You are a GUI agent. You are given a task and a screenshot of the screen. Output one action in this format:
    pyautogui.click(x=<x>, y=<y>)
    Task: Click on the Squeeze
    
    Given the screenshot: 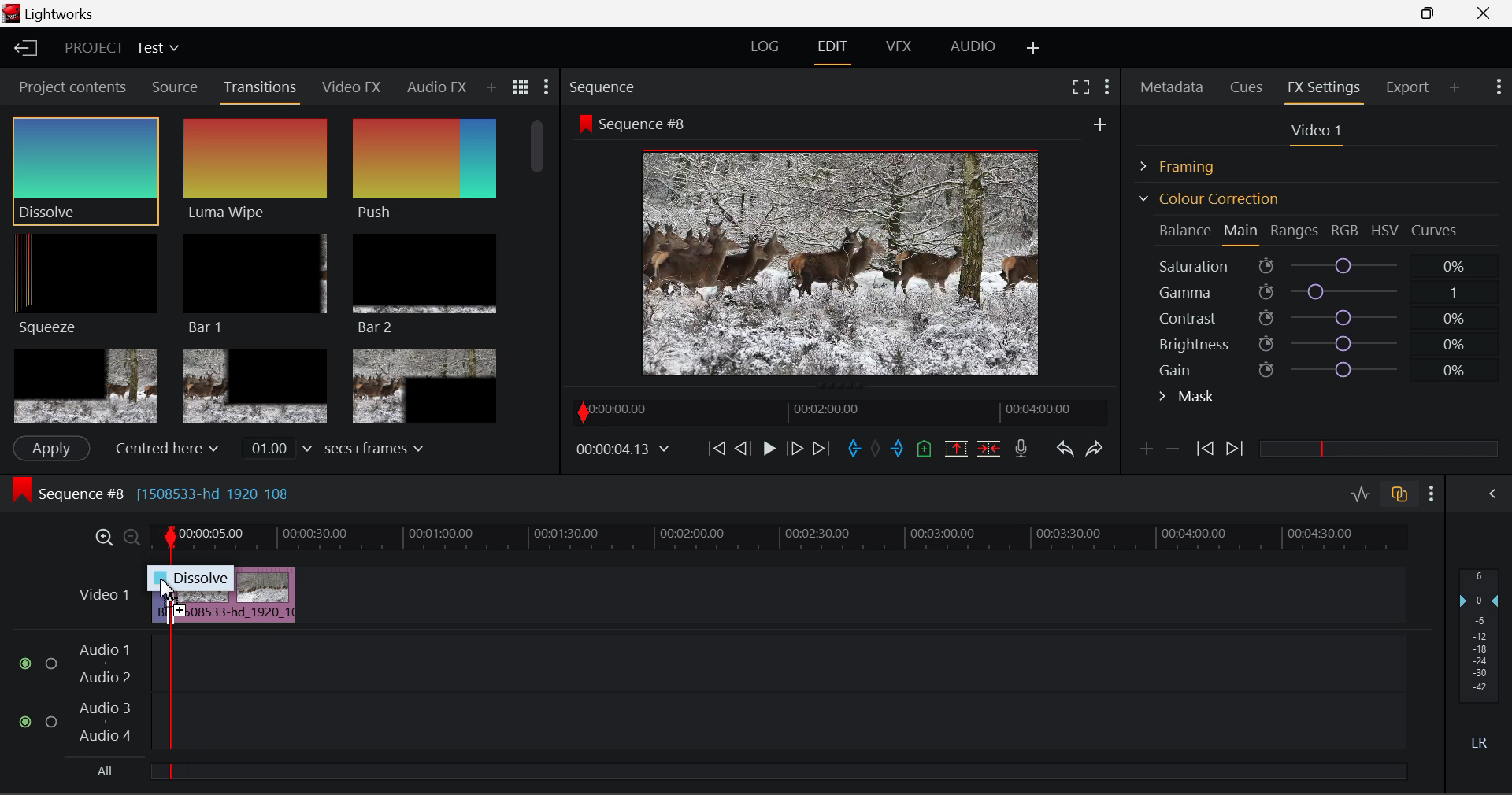 What is the action you would take?
    pyautogui.click(x=80, y=283)
    